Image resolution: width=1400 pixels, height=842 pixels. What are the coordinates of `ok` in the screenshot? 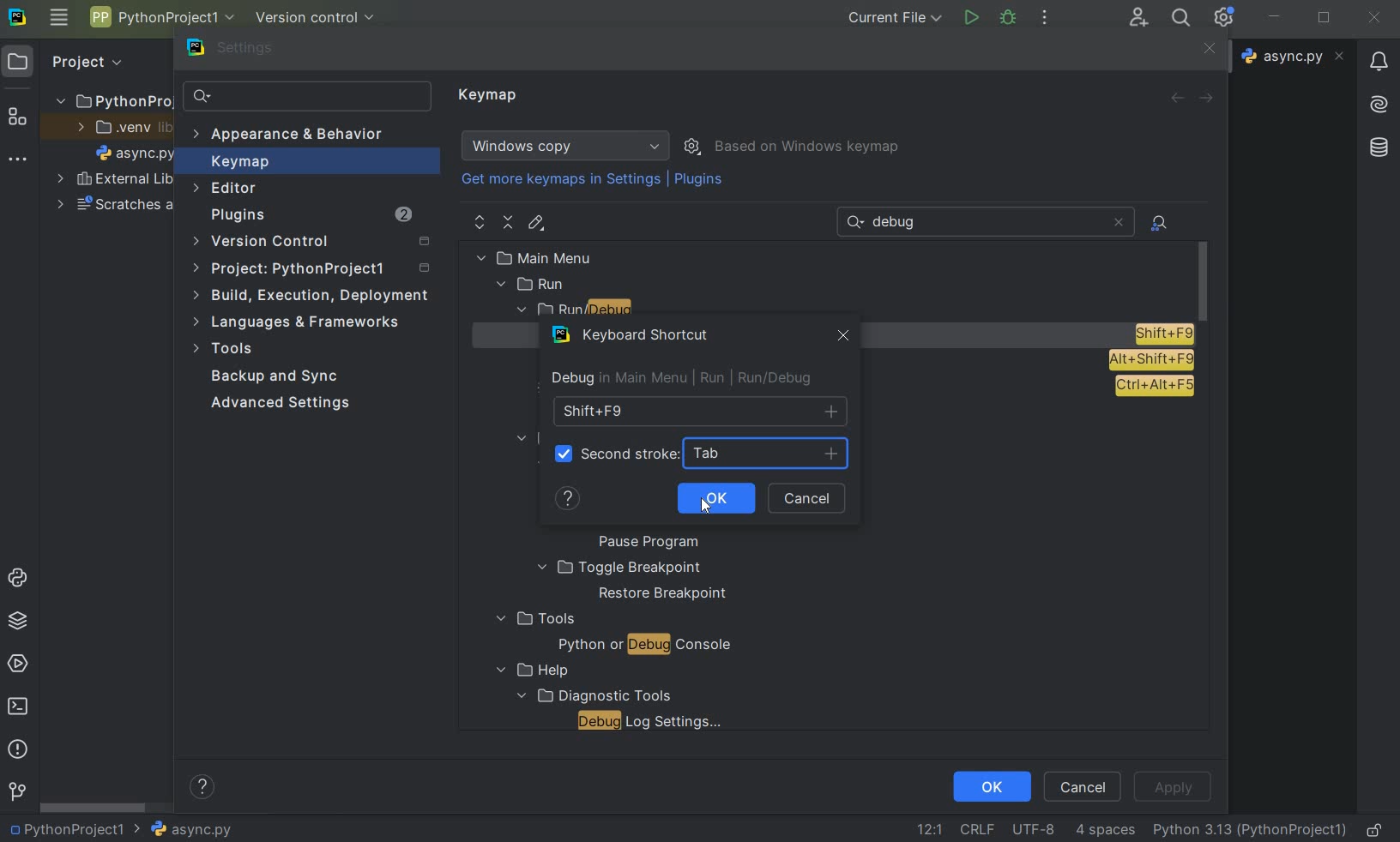 It's located at (711, 498).